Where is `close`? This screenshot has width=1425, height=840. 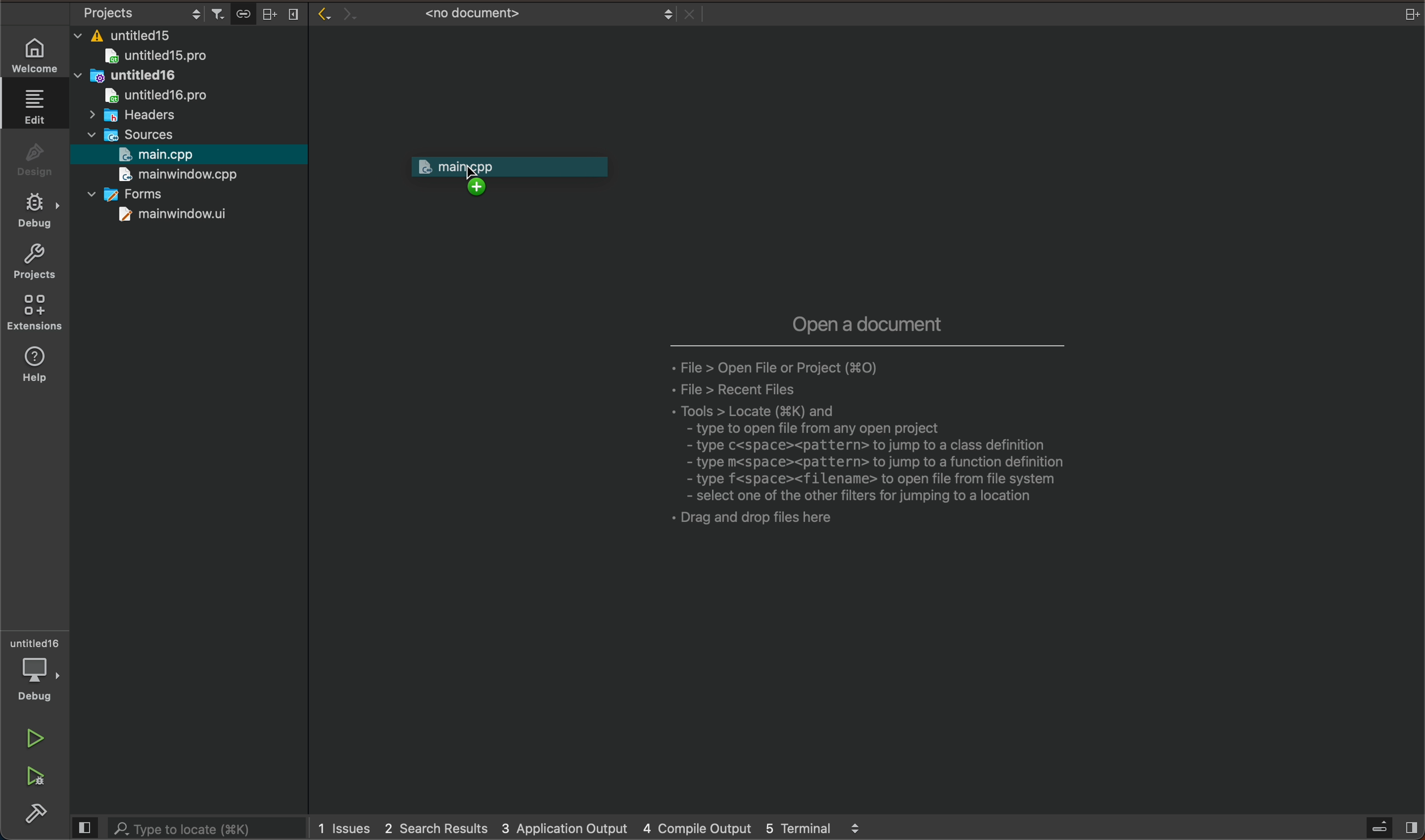 close is located at coordinates (1409, 14).